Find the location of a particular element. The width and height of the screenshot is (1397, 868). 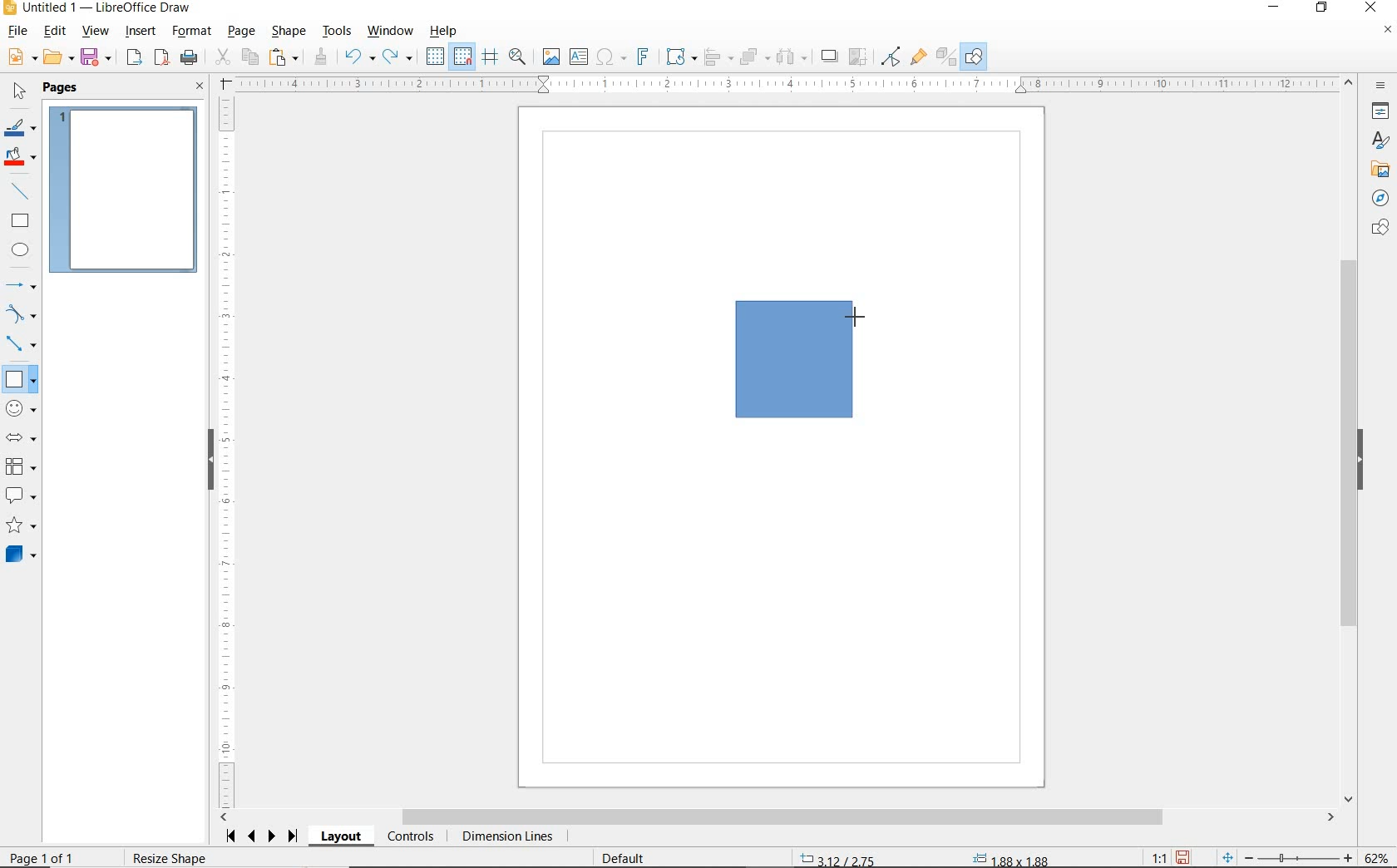

PAGES is located at coordinates (62, 89).